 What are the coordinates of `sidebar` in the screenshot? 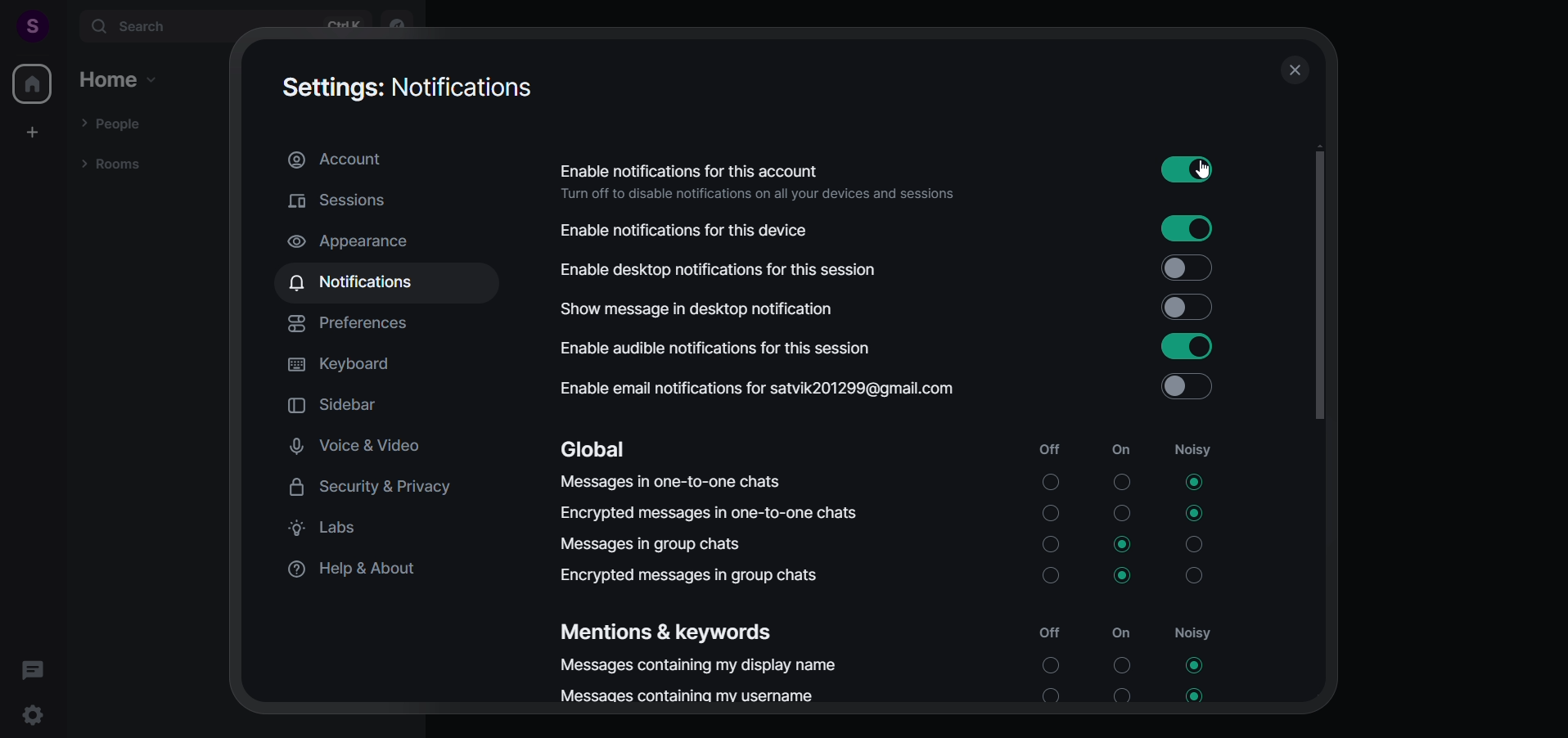 It's located at (346, 407).